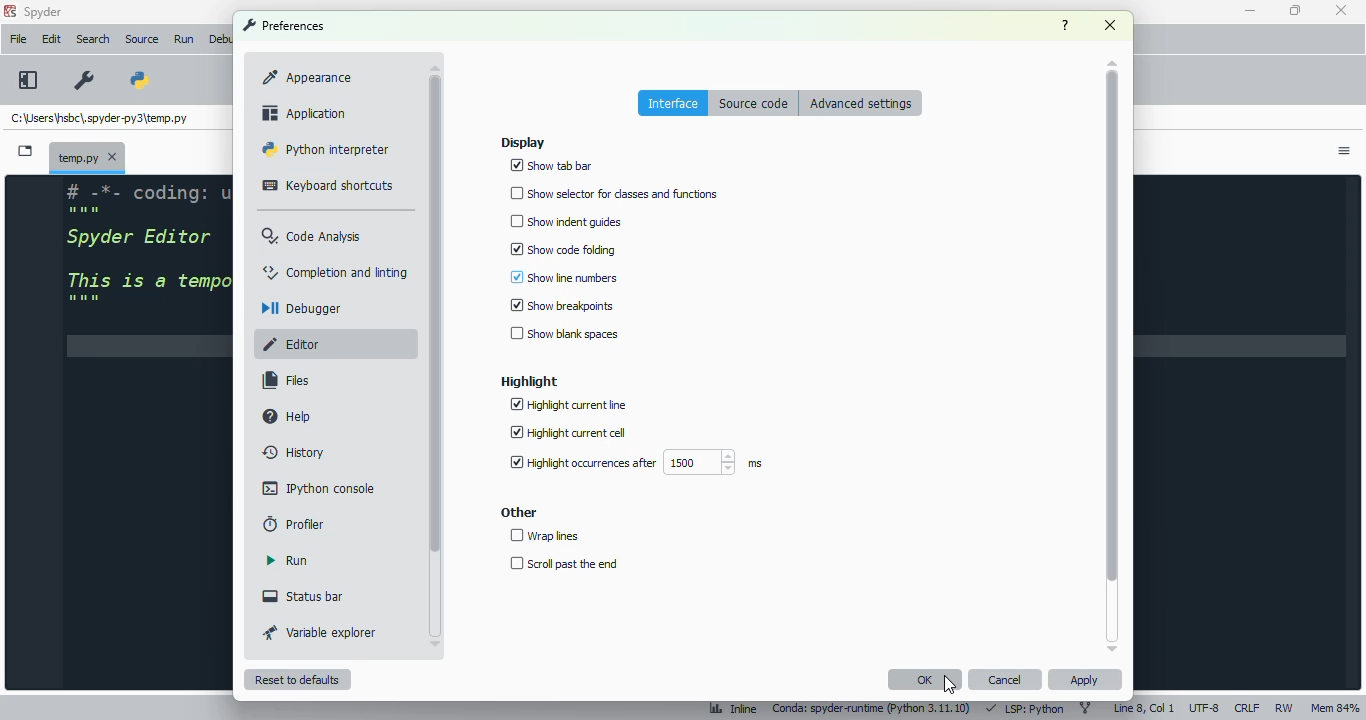 This screenshot has width=1366, height=720. What do you see at coordinates (562, 563) in the screenshot?
I see `scroll past the end` at bounding box center [562, 563].